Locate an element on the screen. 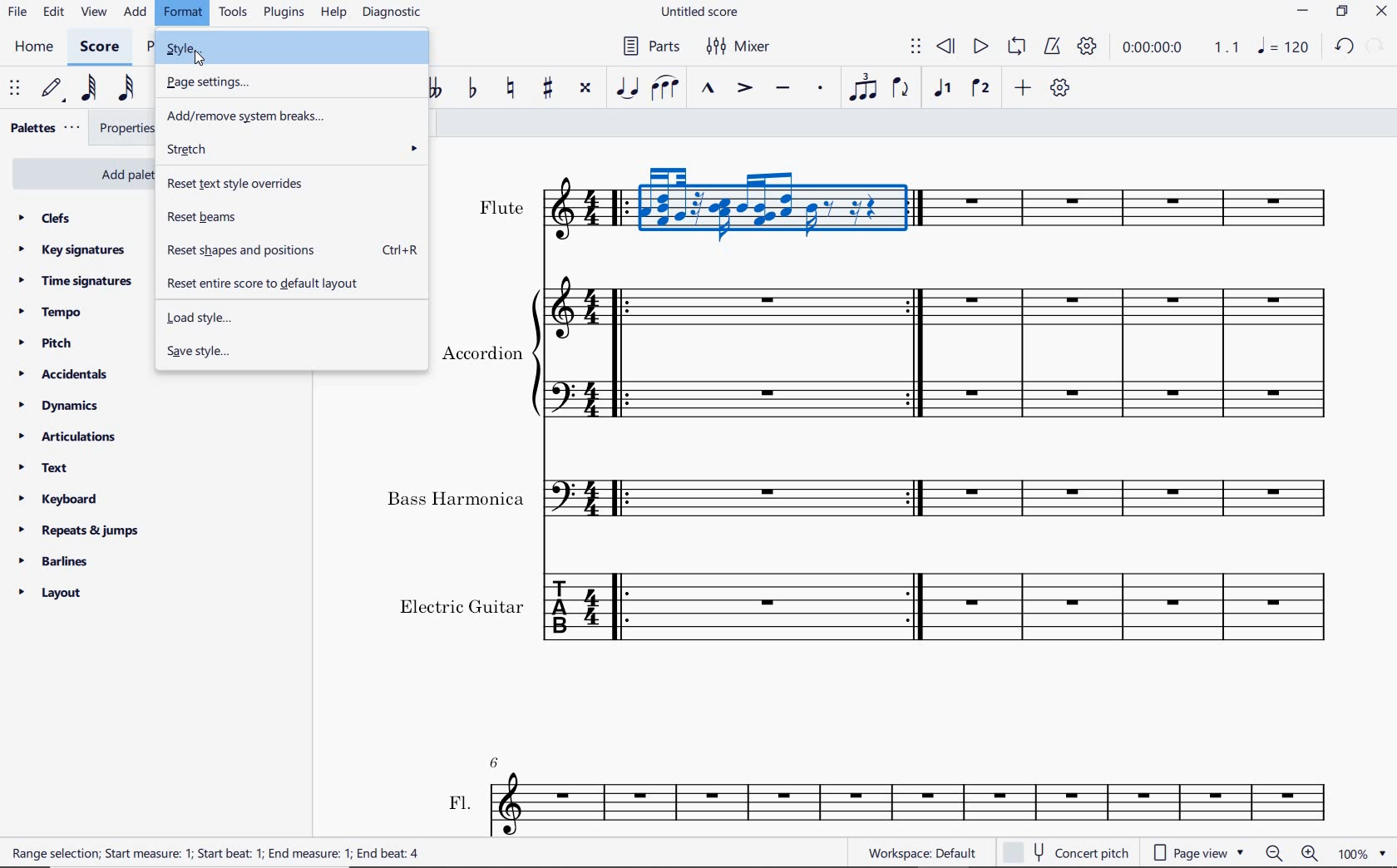 The width and height of the screenshot is (1397, 868). default (step time) is located at coordinates (53, 91).